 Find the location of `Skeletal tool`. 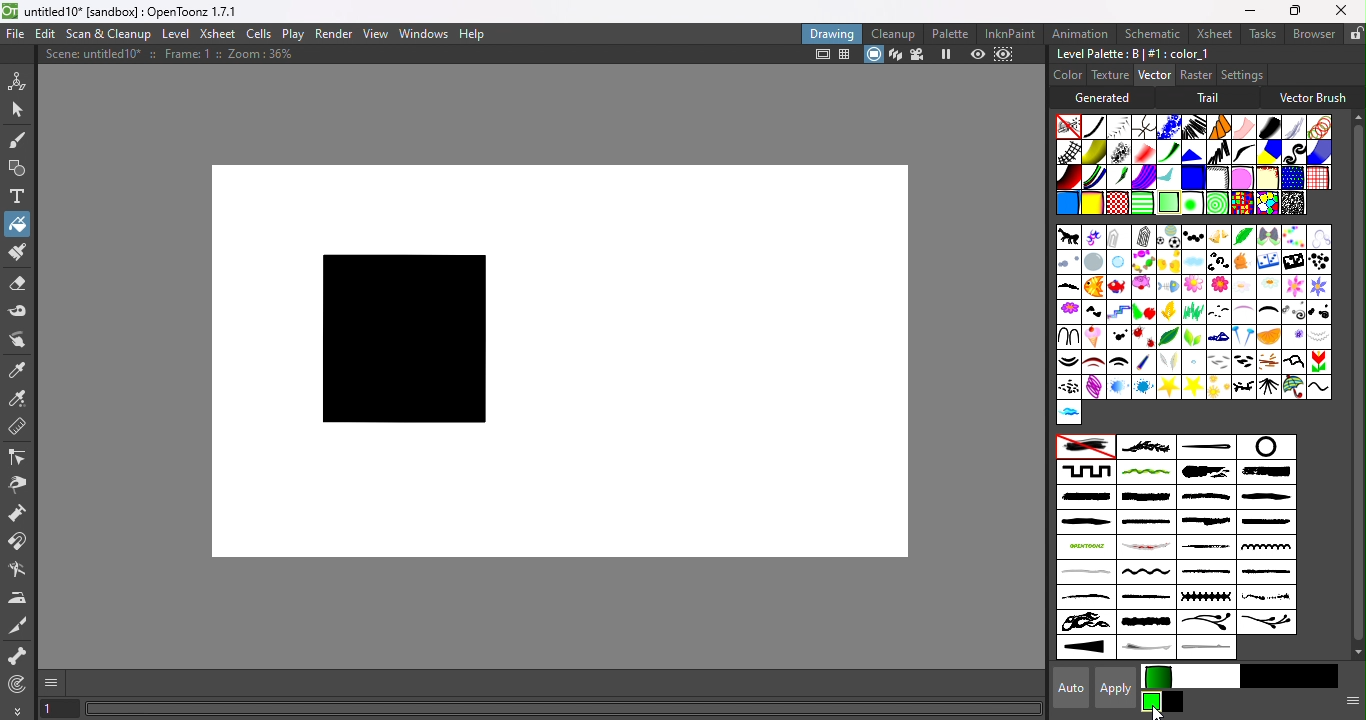

Skeletal tool is located at coordinates (18, 657).